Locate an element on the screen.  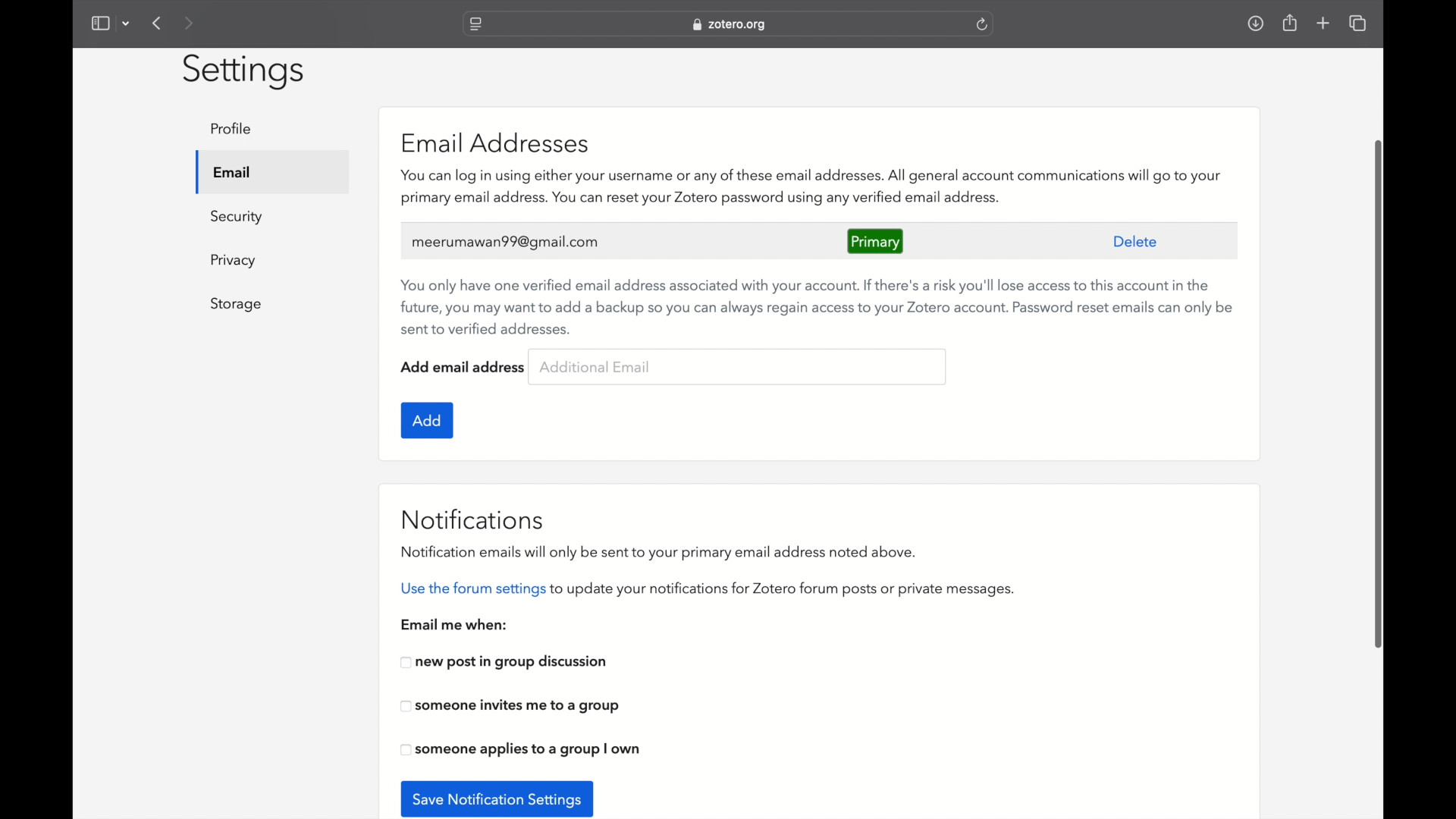
email is located at coordinates (233, 172).